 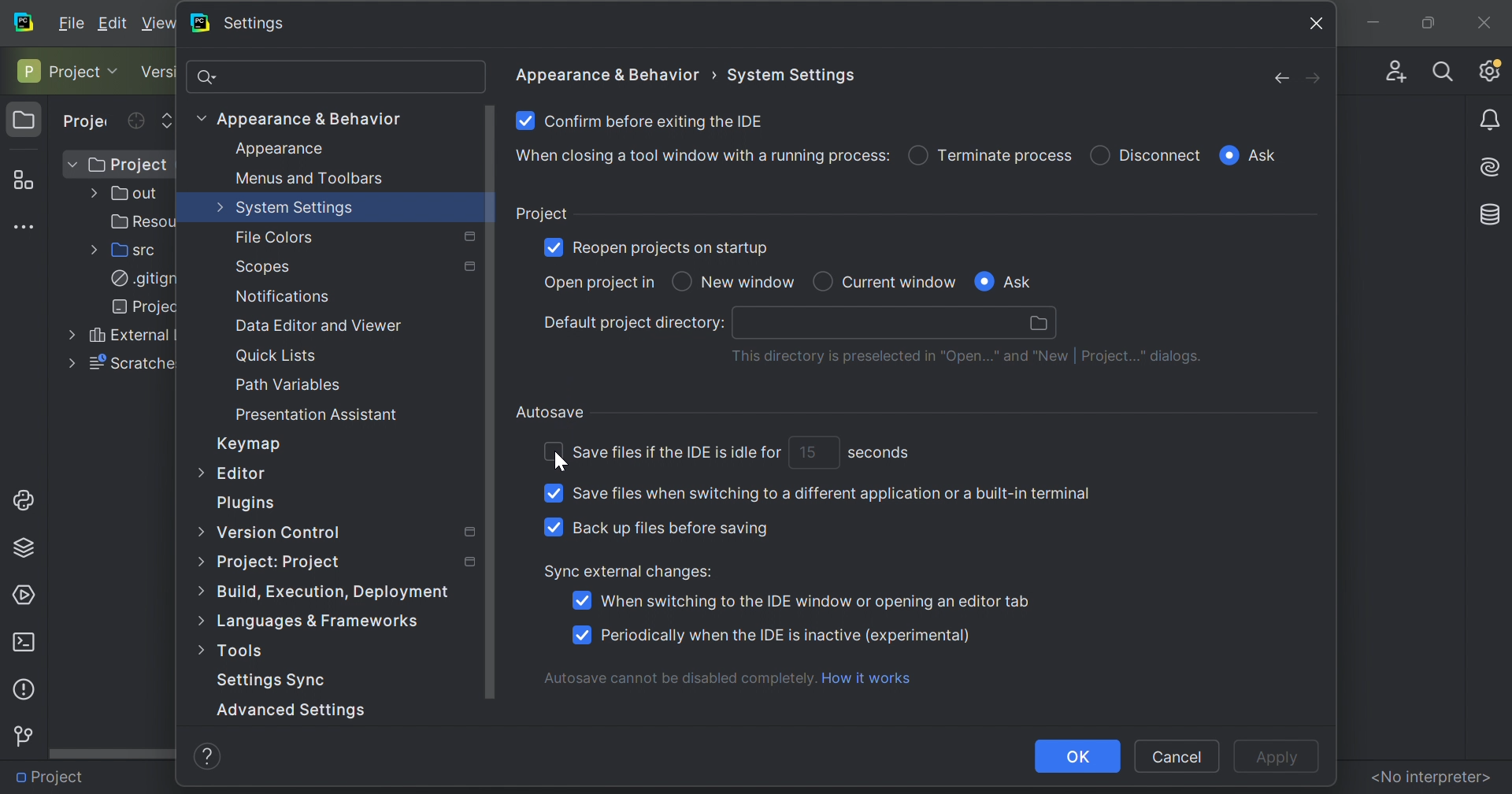 I want to click on Project, so click(x=53, y=775).